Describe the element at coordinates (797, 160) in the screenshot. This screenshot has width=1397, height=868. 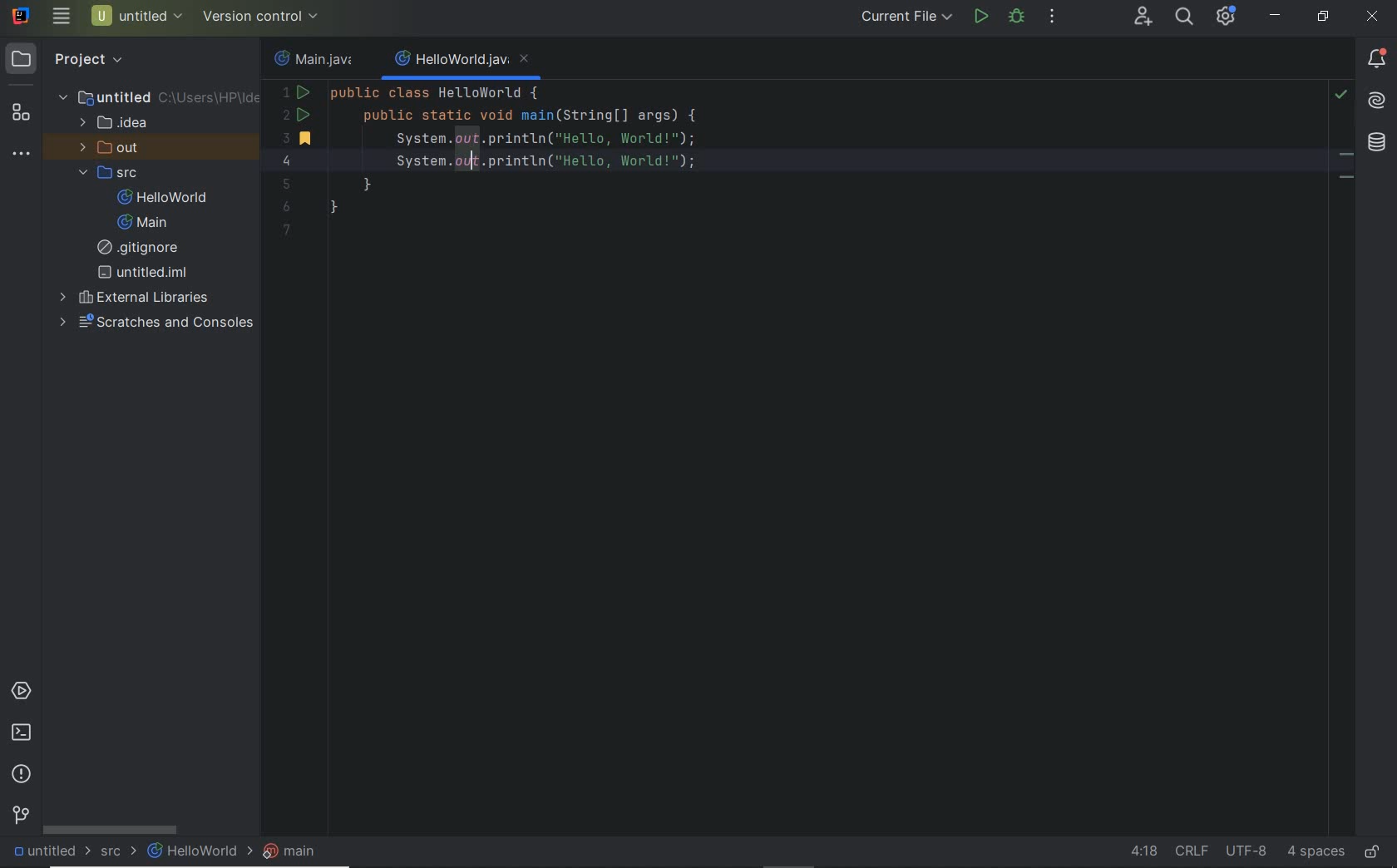
I see `duplicated line of code` at that location.